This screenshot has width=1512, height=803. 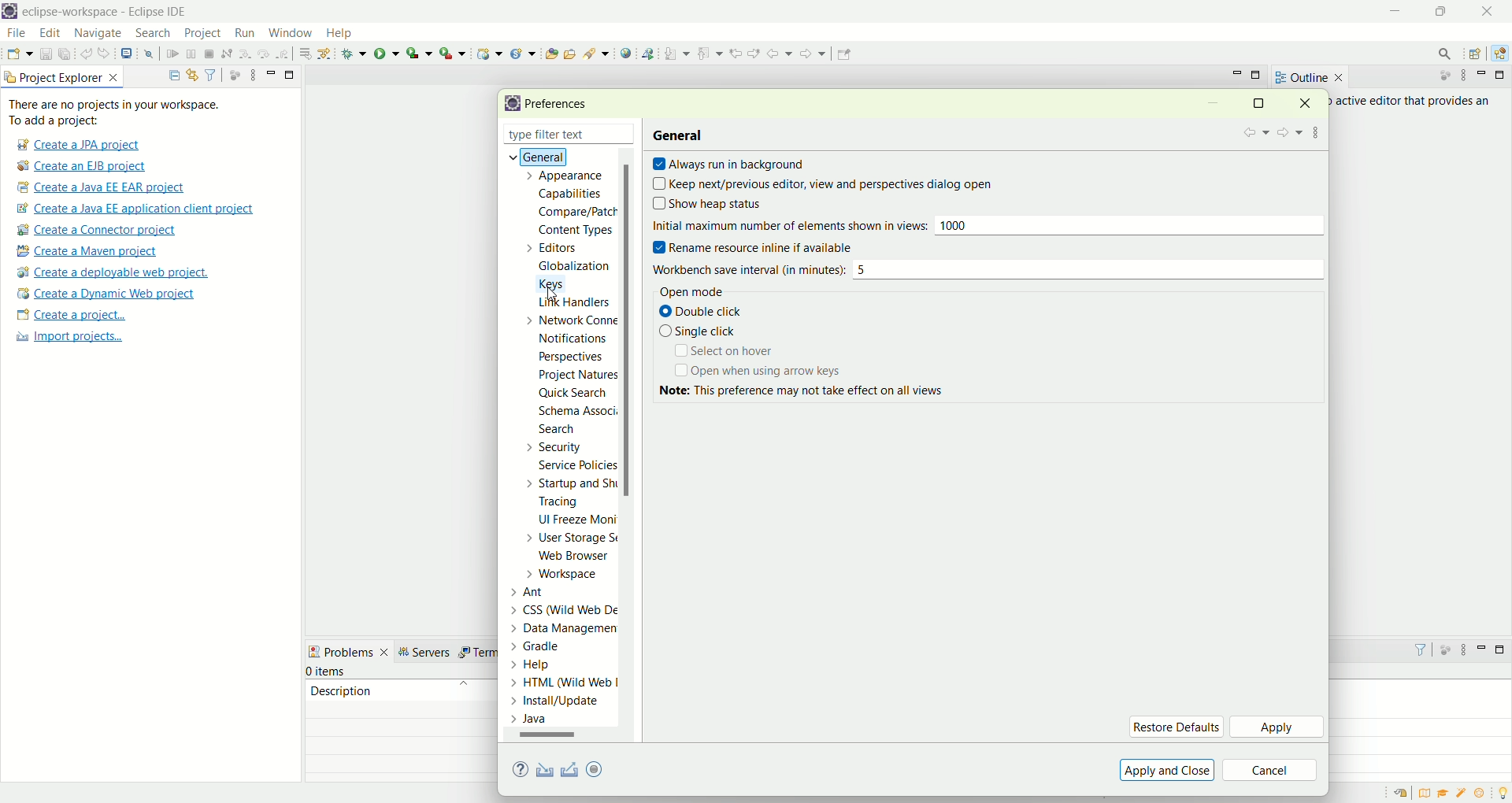 I want to click on collapse all, so click(x=170, y=76).